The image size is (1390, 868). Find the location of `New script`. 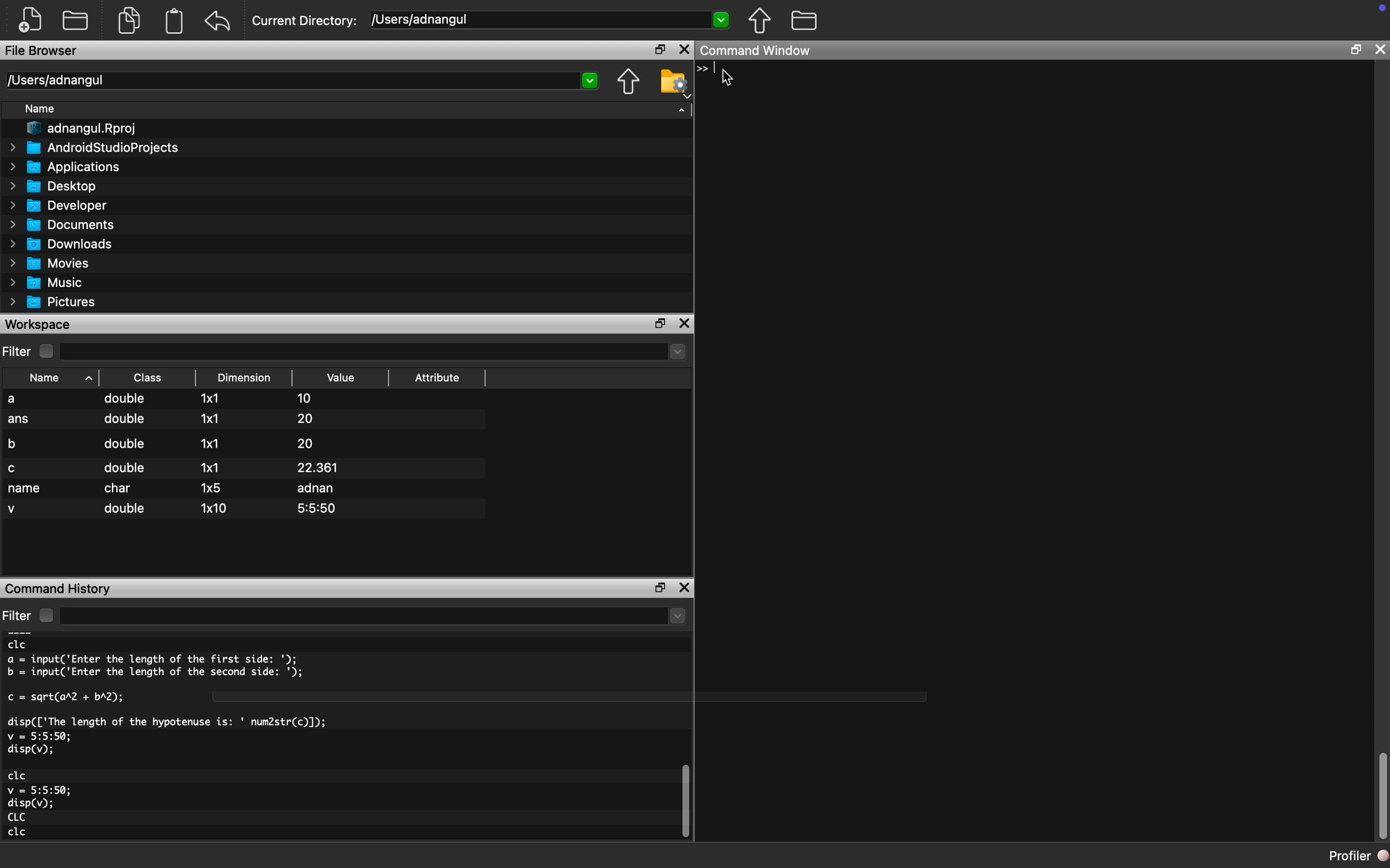

New script is located at coordinates (31, 19).